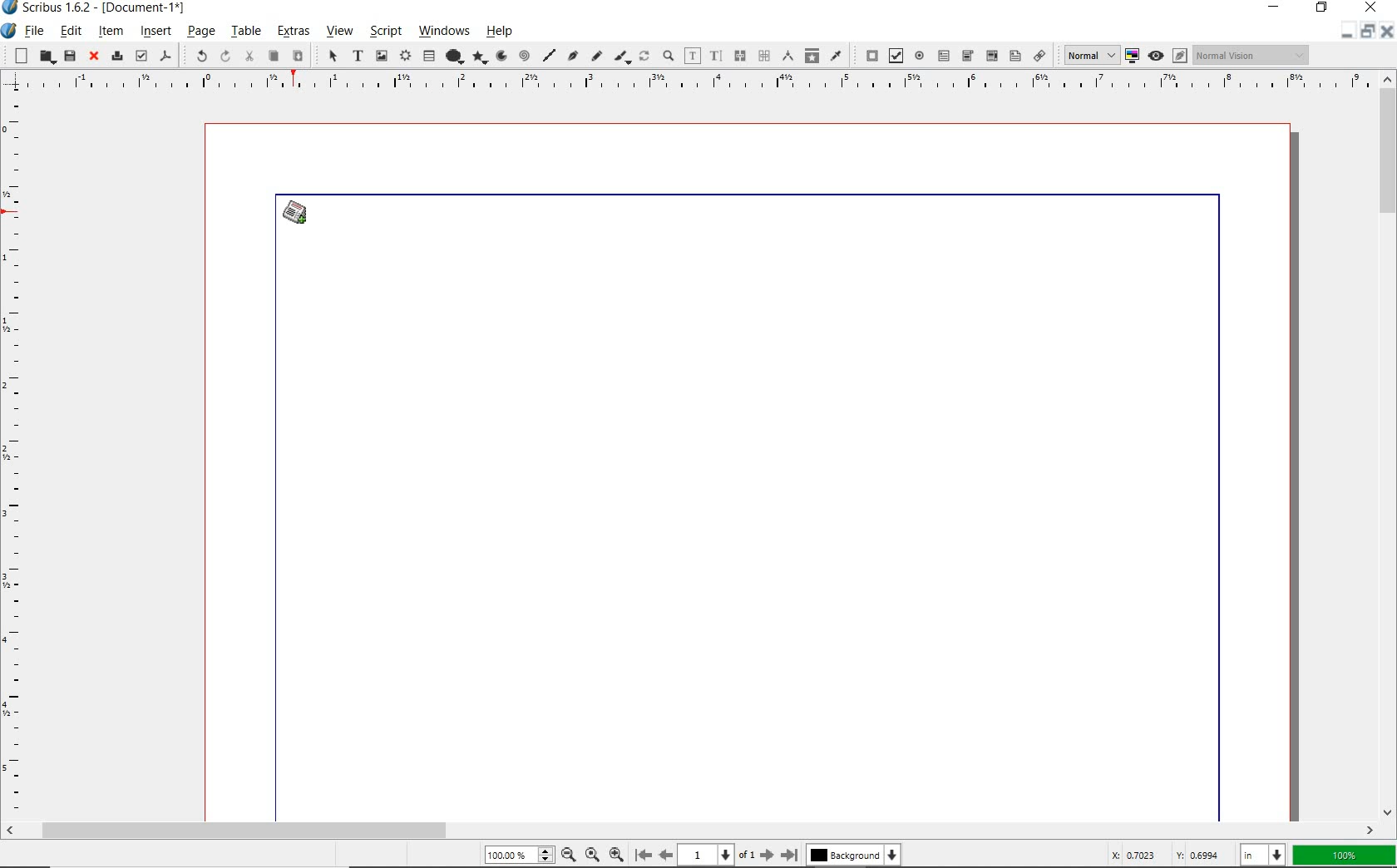 Image resolution: width=1397 pixels, height=868 pixels. What do you see at coordinates (69, 57) in the screenshot?
I see `save` at bounding box center [69, 57].